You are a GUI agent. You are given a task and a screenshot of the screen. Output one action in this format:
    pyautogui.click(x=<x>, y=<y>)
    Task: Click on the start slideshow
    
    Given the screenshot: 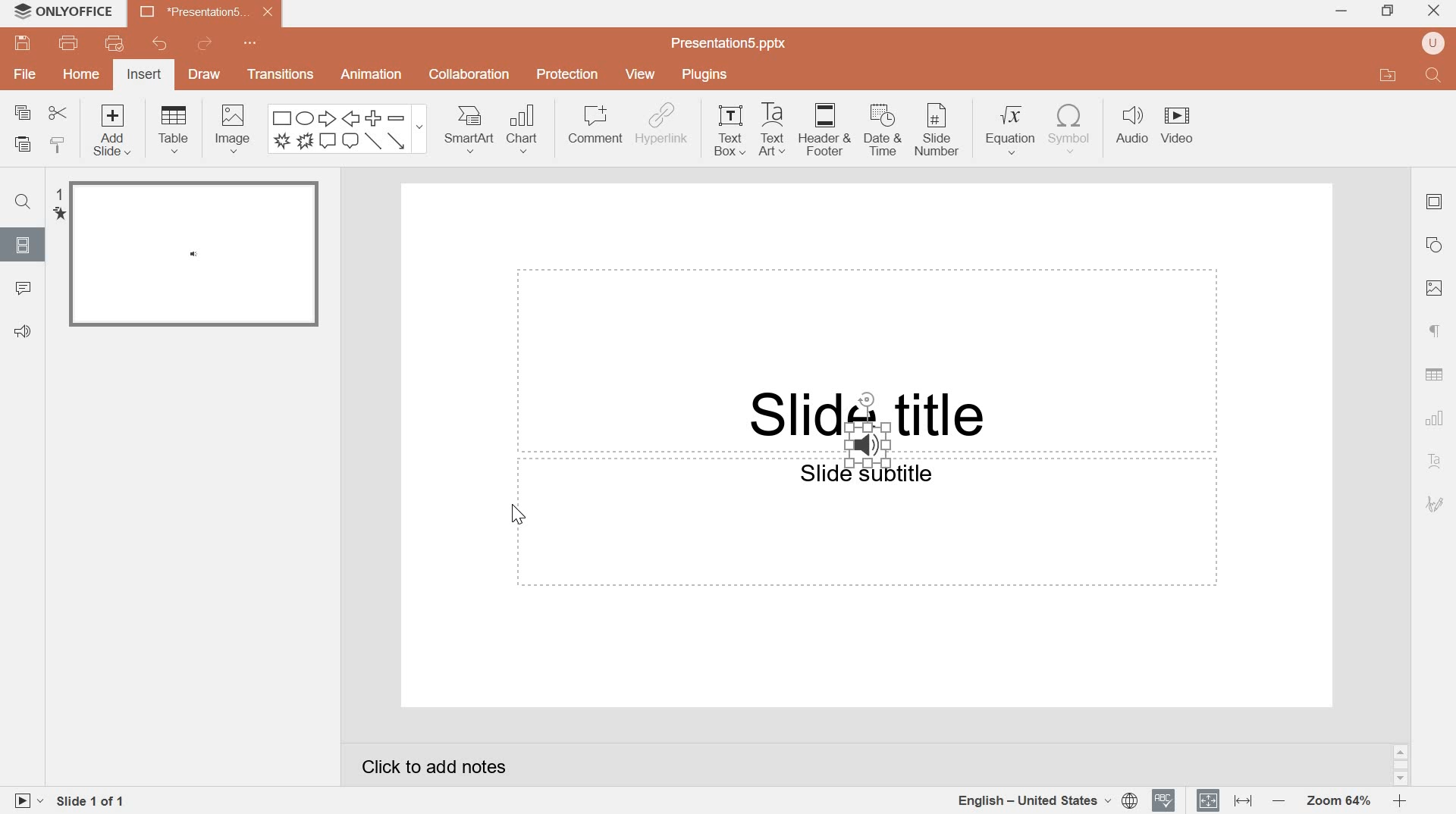 What is the action you would take?
    pyautogui.click(x=26, y=800)
    